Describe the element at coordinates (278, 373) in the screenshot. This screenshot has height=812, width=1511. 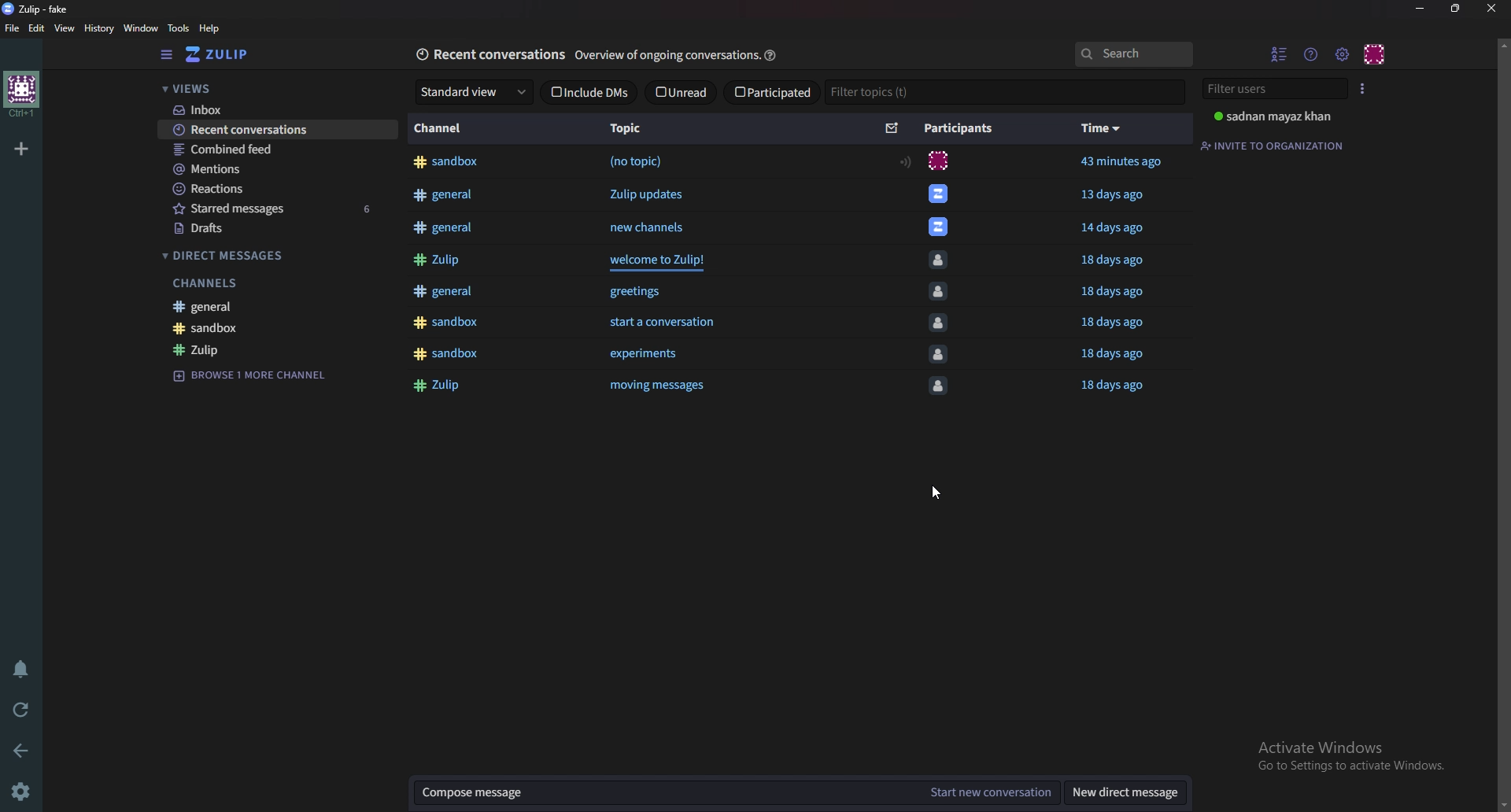
I see `Zulip` at that location.